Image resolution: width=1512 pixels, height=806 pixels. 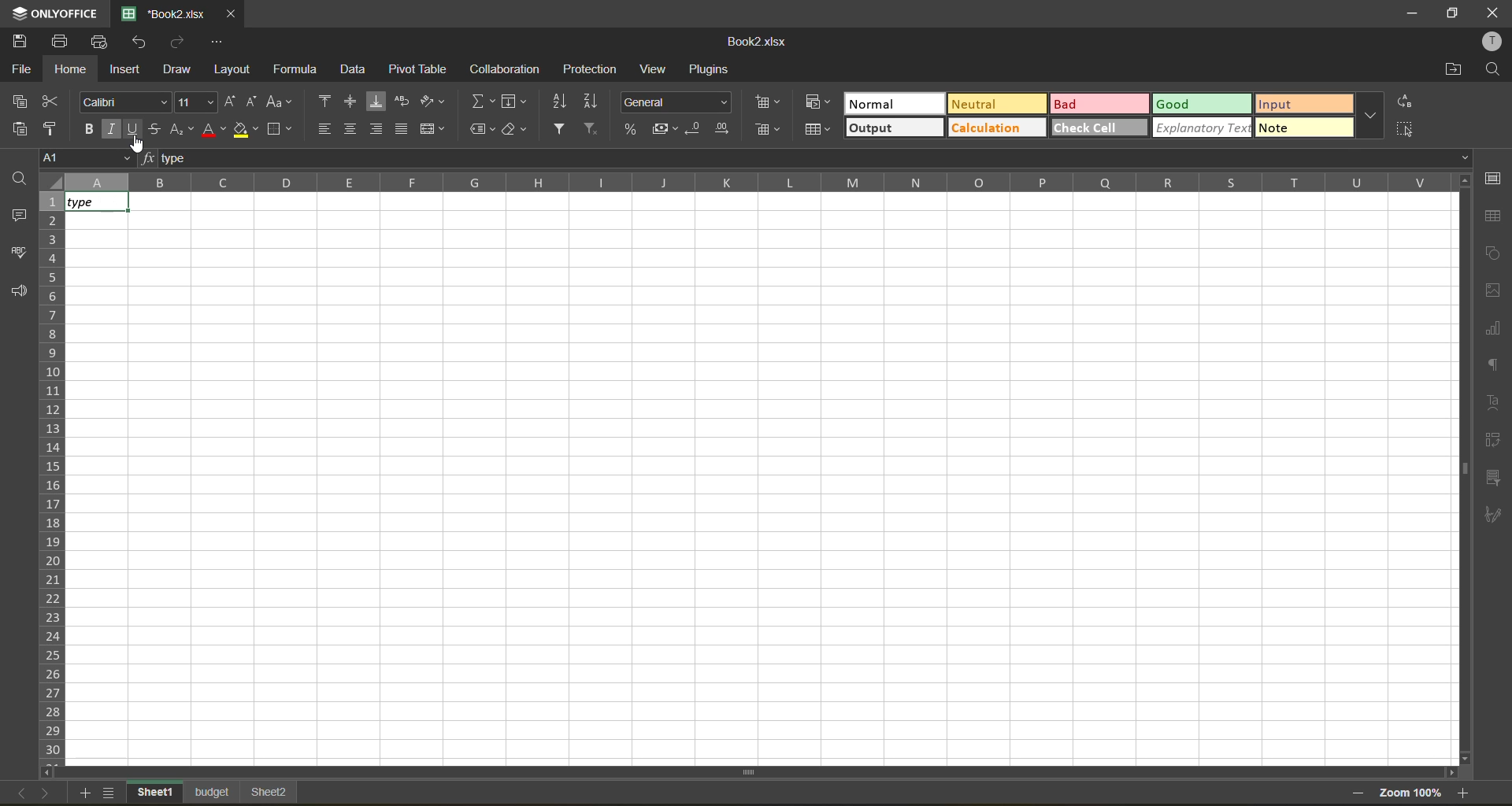 What do you see at coordinates (138, 142) in the screenshot?
I see `cursor` at bounding box center [138, 142].